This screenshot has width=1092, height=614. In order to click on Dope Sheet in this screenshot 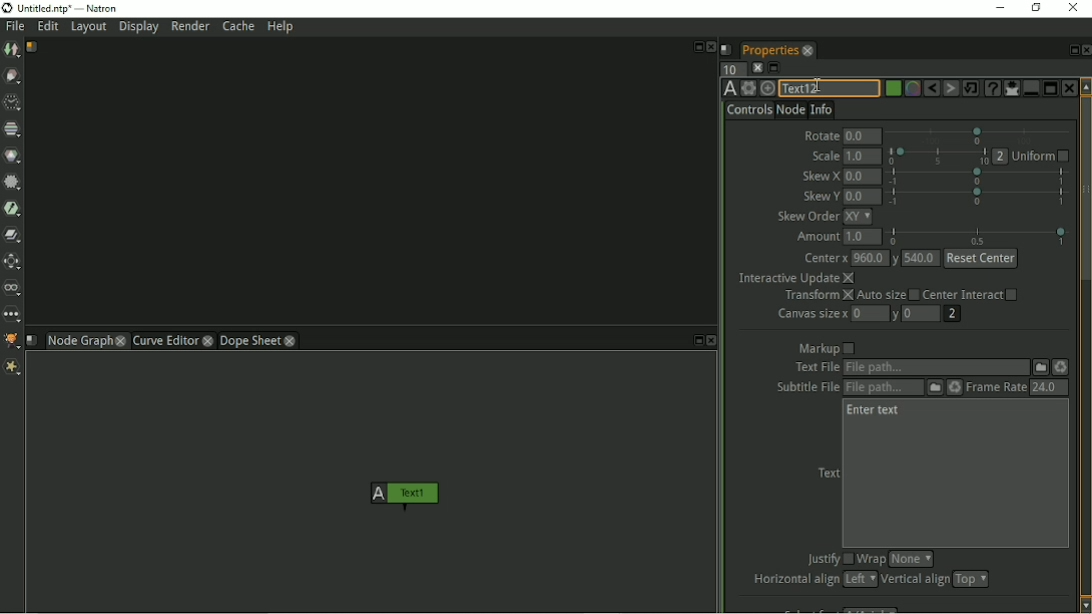, I will do `click(250, 340)`.